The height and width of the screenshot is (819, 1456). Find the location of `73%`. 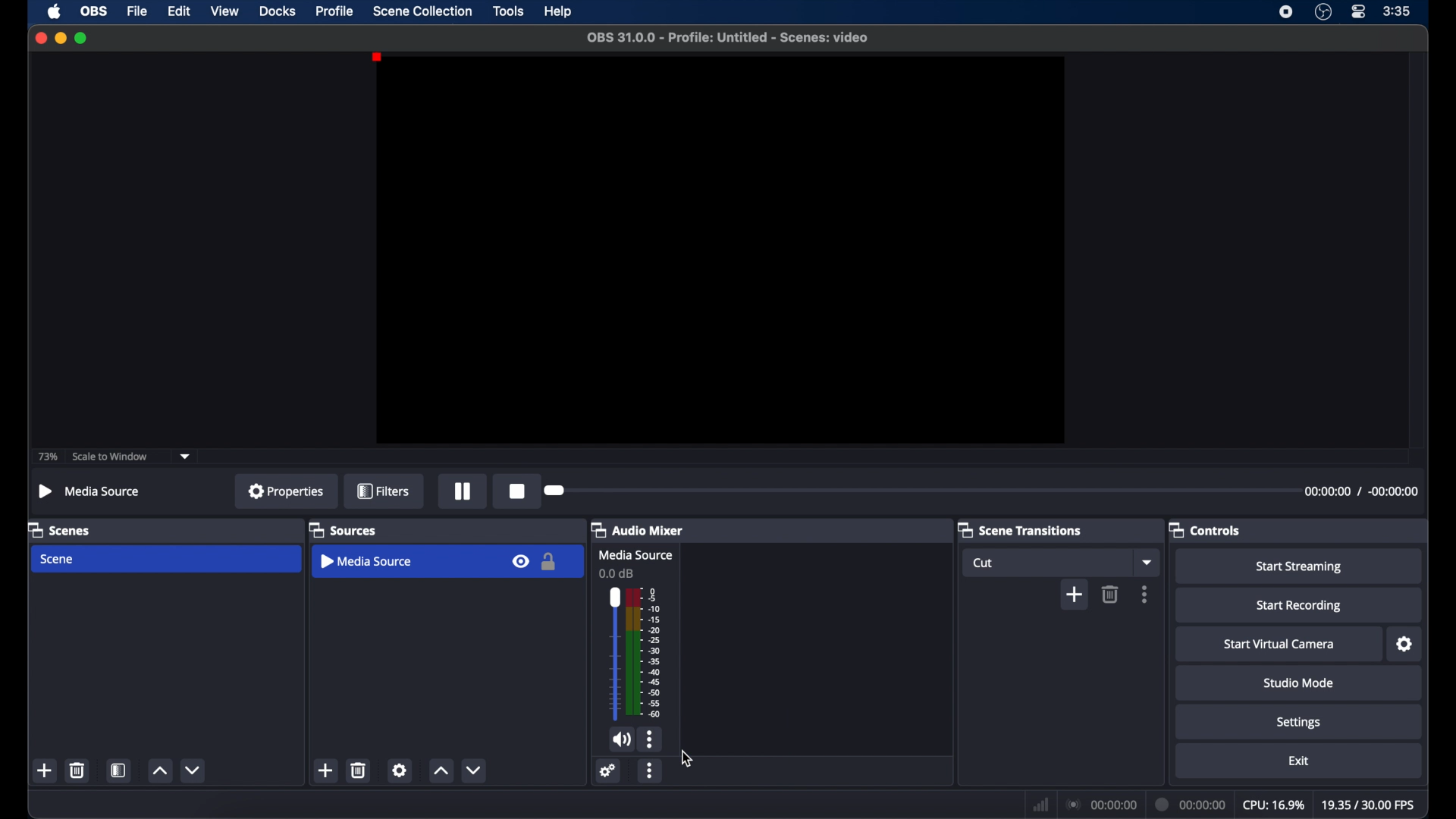

73% is located at coordinates (47, 457).